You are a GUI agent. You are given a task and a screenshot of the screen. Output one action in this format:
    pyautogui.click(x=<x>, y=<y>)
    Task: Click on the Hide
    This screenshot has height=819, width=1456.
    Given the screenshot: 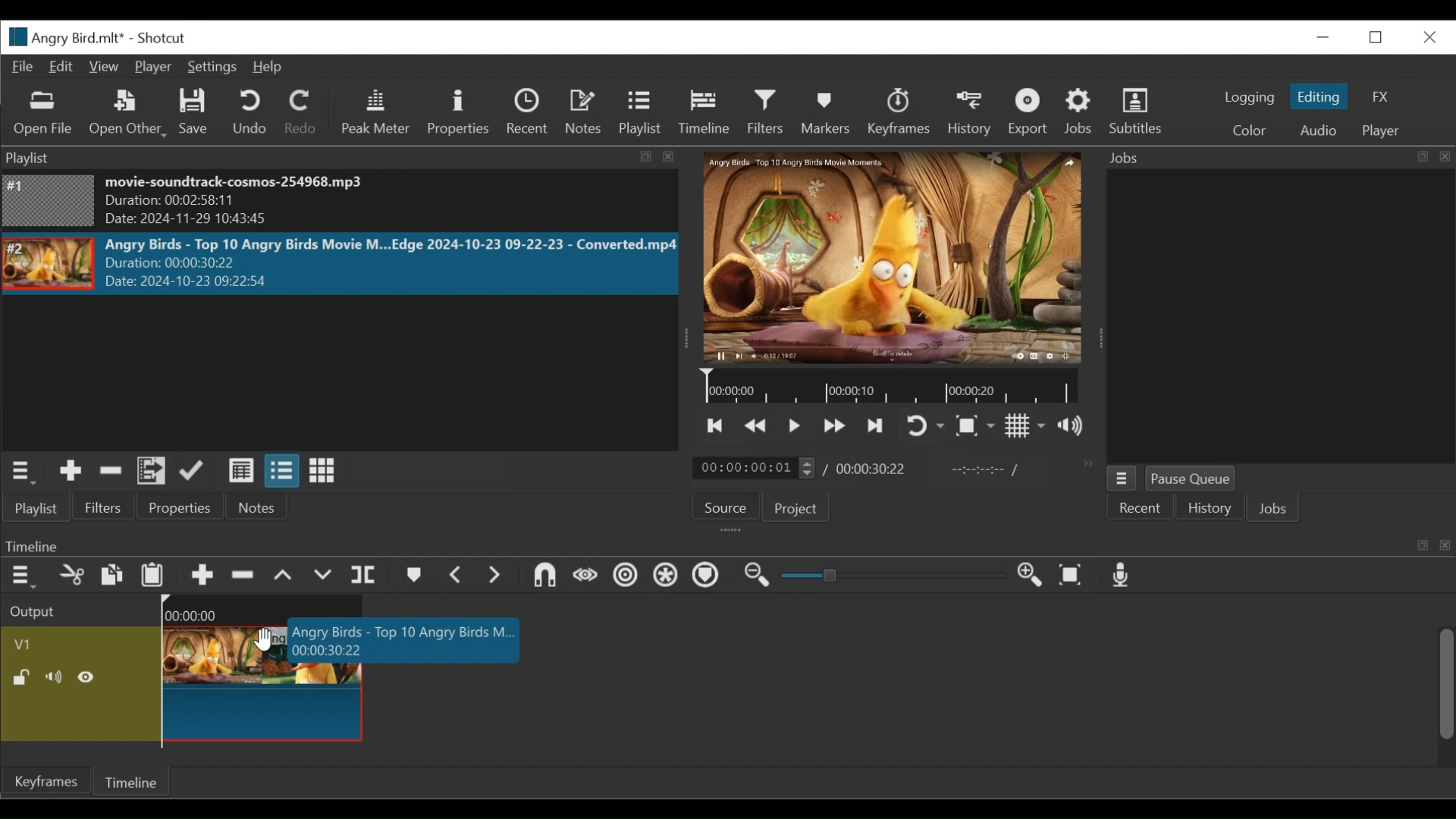 What is the action you would take?
    pyautogui.click(x=88, y=678)
    